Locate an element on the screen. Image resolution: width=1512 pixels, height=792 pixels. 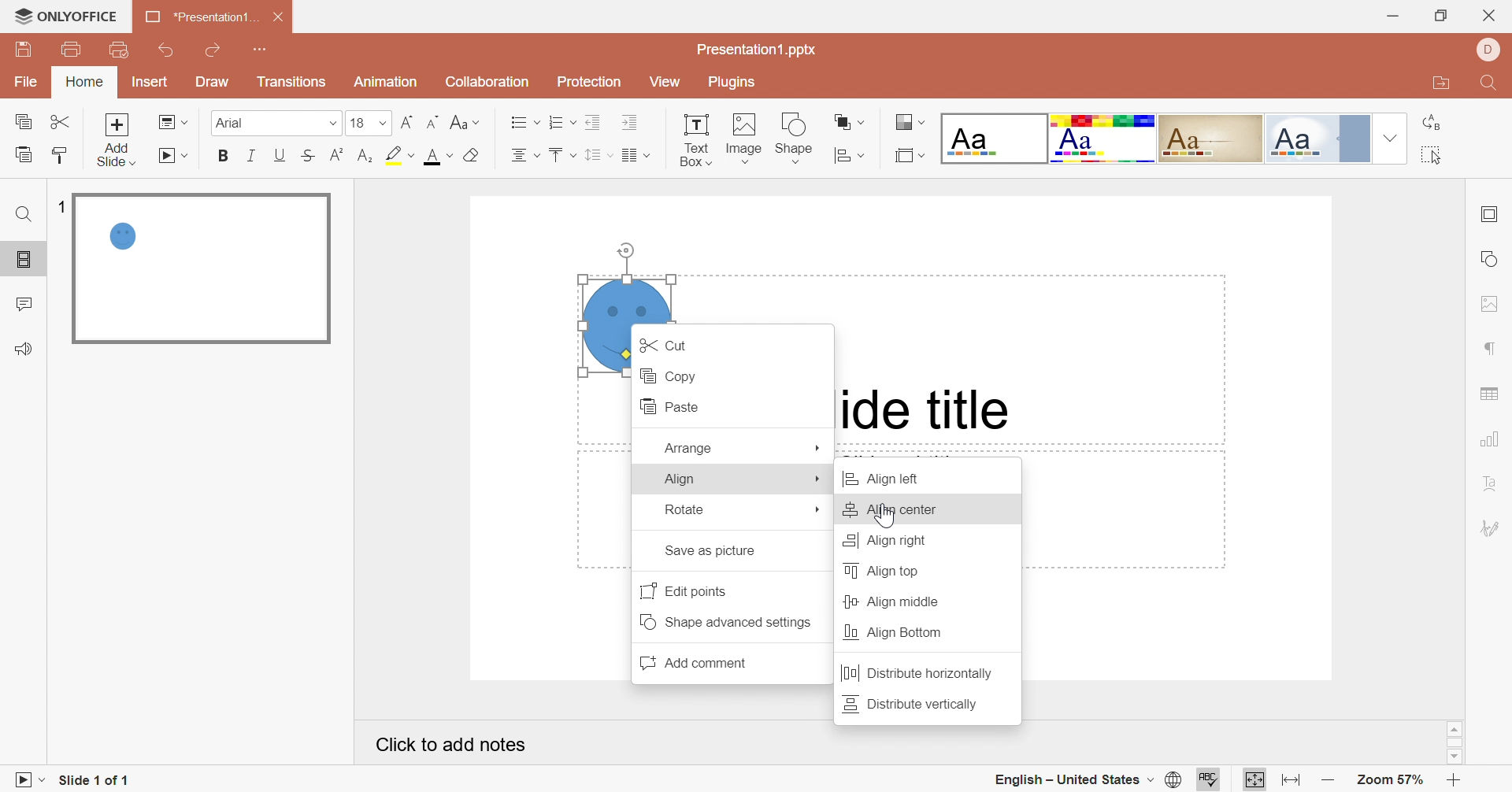
Align Middle is located at coordinates (892, 602).